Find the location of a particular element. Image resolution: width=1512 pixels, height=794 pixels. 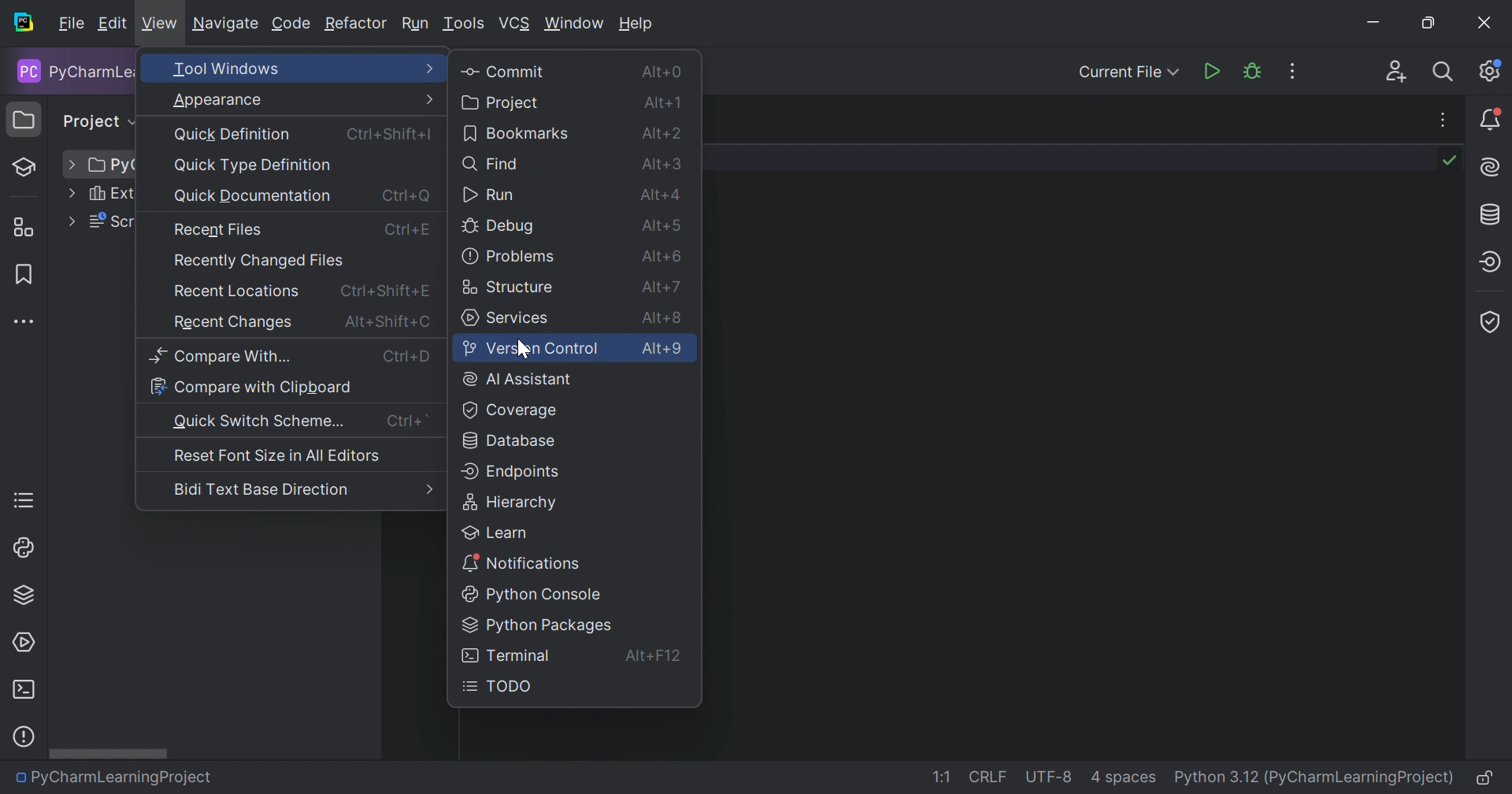

Scr is located at coordinates (109, 222).